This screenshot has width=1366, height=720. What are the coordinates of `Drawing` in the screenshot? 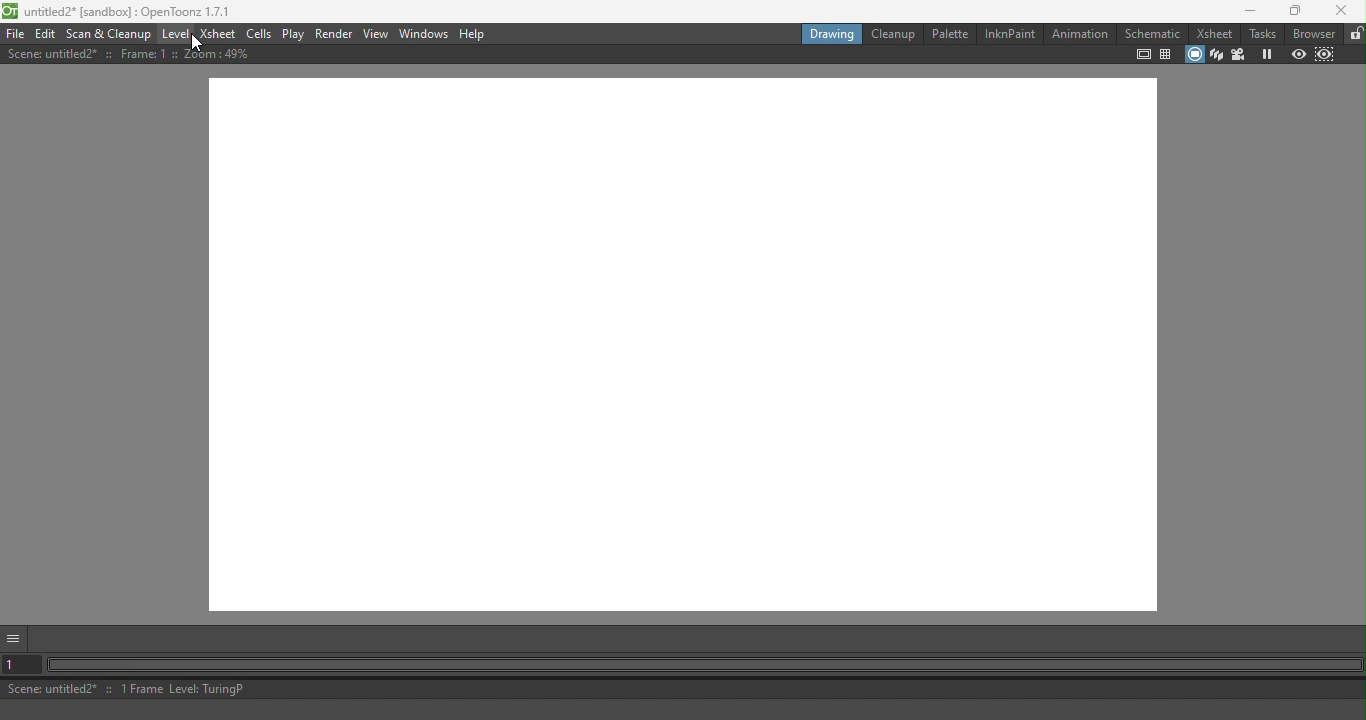 It's located at (832, 34).